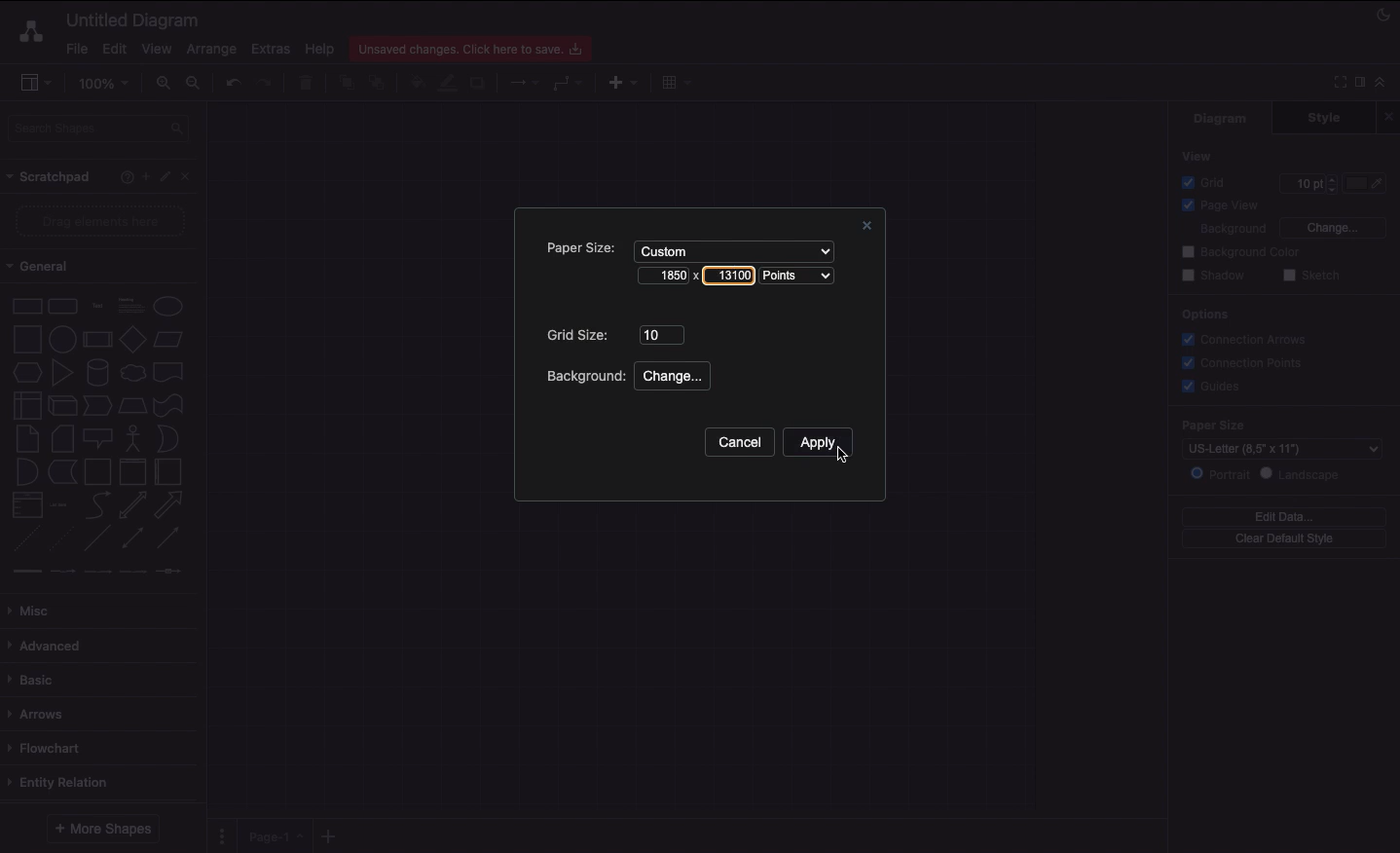 This screenshot has width=1400, height=853. What do you see at coordinates (663, 333) in the screenshot?
I see `grid size` at bounding box center [663, 333].